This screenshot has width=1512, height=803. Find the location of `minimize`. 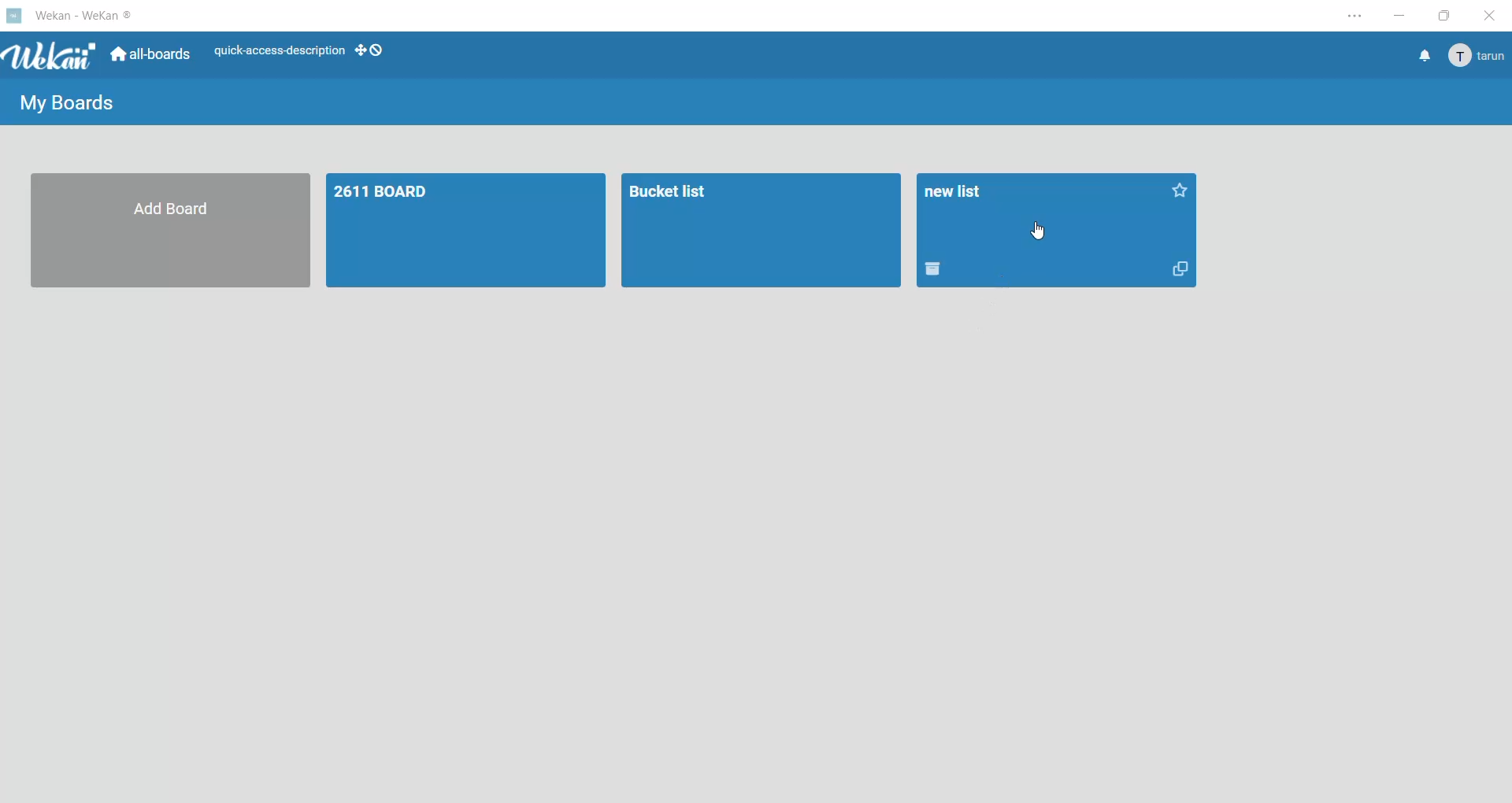

minimize is located at coordinates (1403, 16).